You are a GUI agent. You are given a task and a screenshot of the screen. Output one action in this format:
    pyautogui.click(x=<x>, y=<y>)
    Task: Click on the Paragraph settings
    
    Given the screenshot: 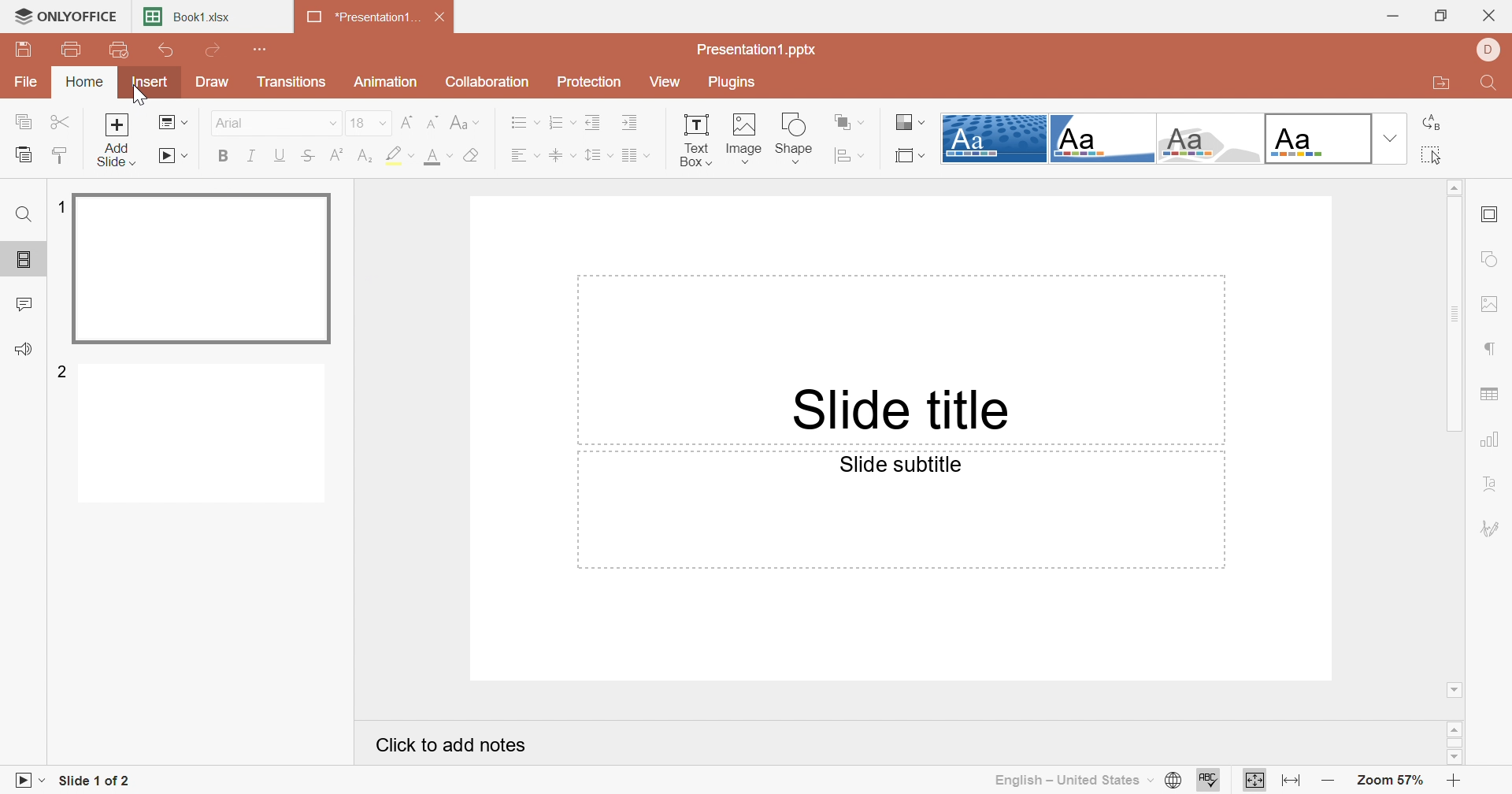 What is the action you would take?
    pyautogui.click(x=1492, y=350)
    